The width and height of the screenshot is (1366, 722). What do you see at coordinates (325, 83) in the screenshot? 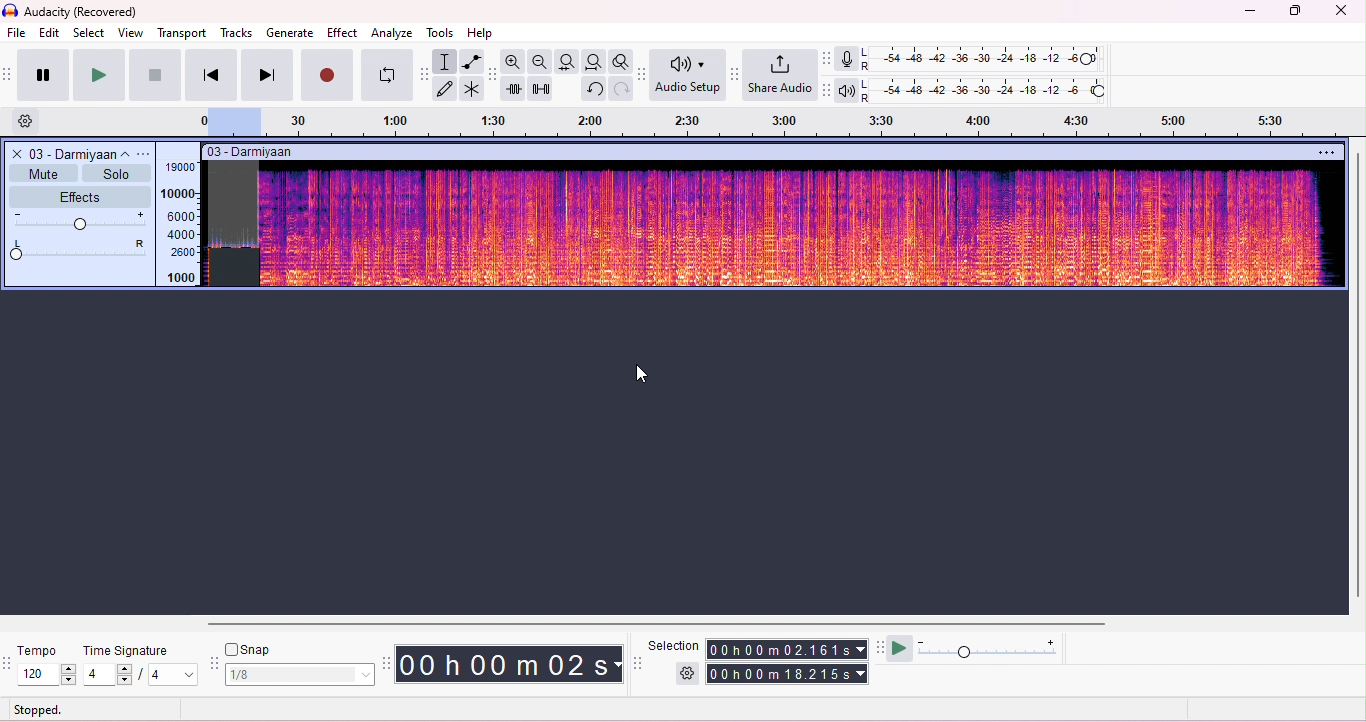
I see `record` at bounding box center [325, 83].